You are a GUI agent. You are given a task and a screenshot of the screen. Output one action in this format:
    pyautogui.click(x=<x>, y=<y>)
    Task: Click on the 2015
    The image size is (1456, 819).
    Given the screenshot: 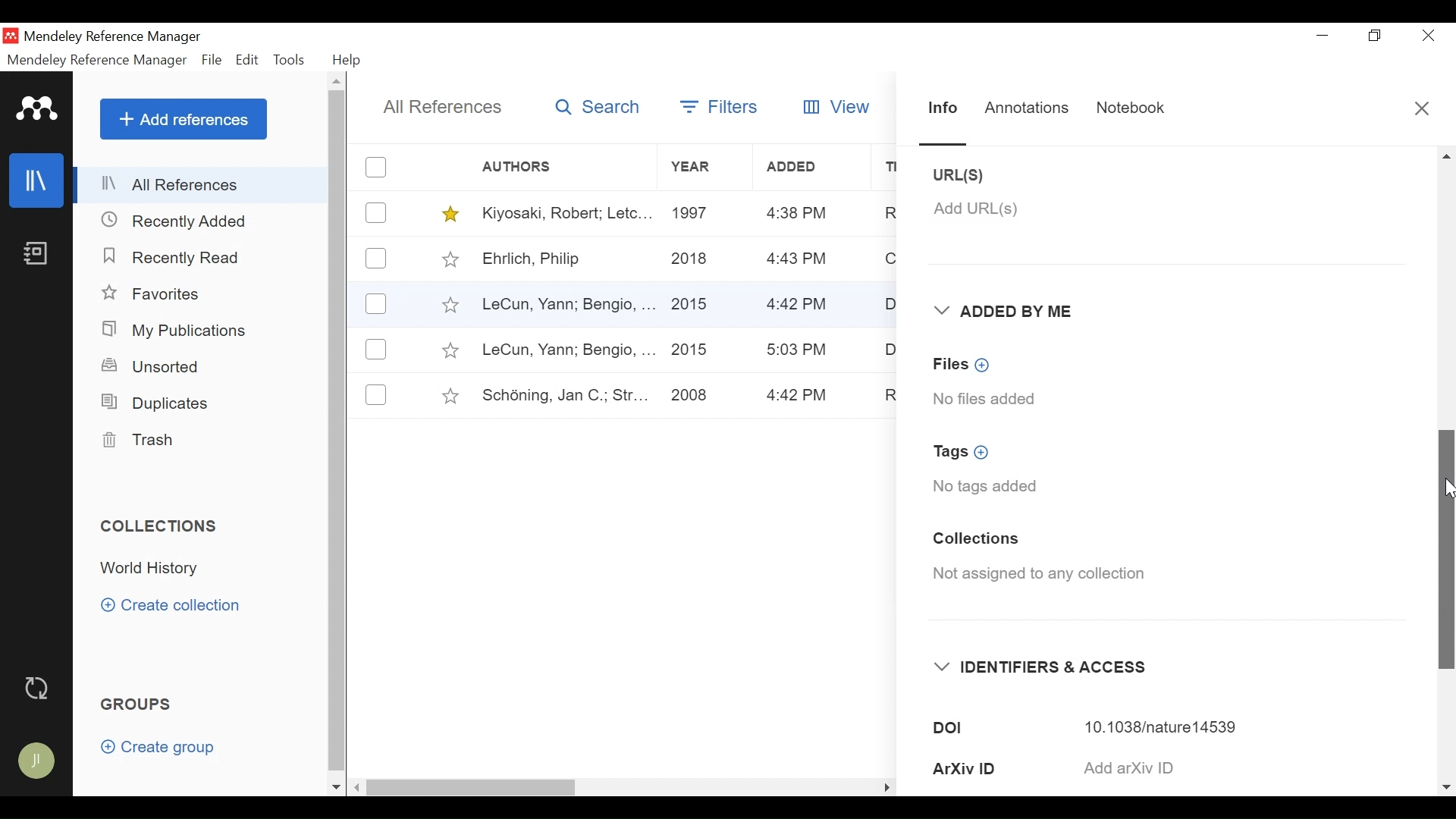 What is the action you would take?
    pyautogui.click(x=691, y=350)
    